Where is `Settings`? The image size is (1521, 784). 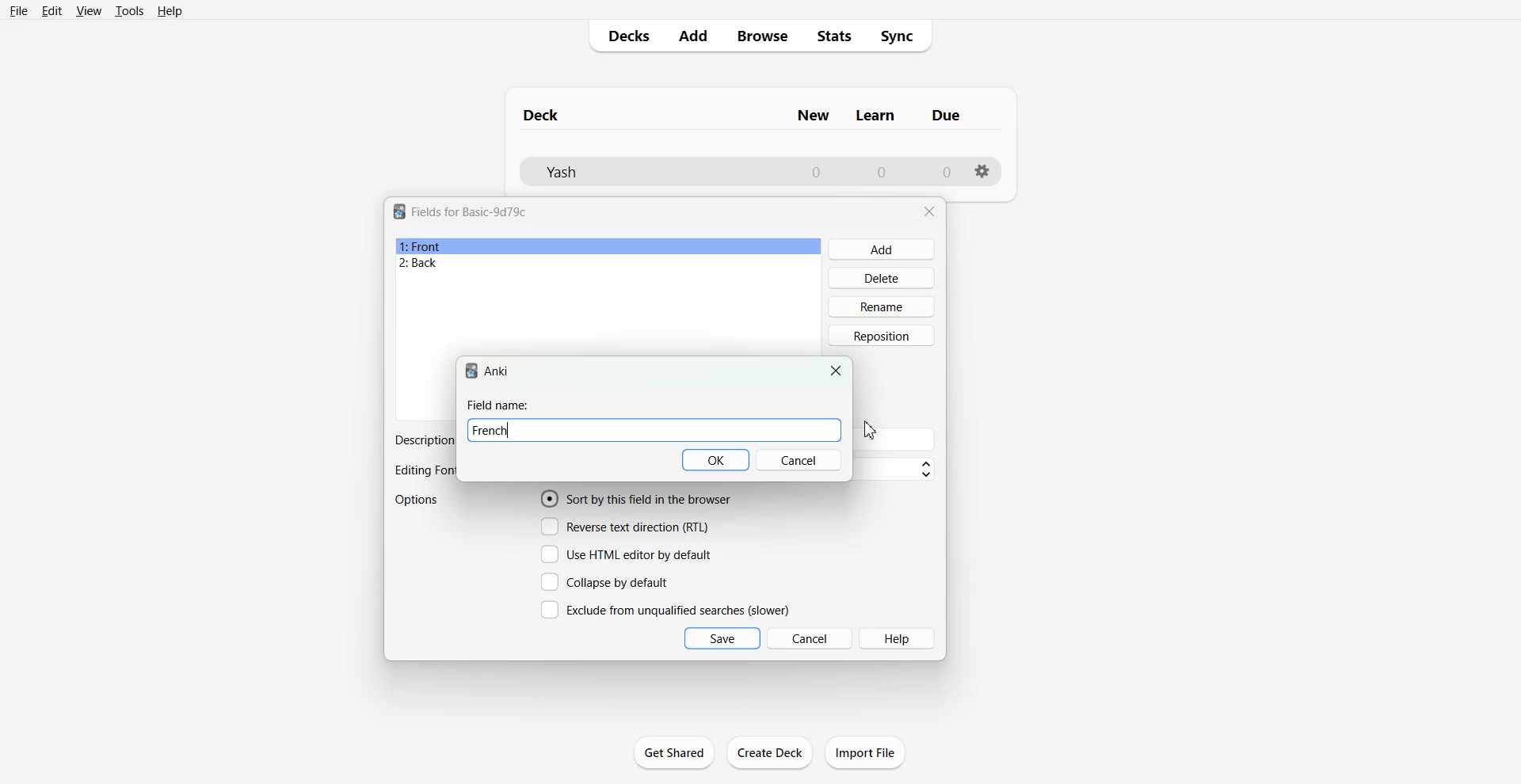 Settings is located at coordinates (983, 171).